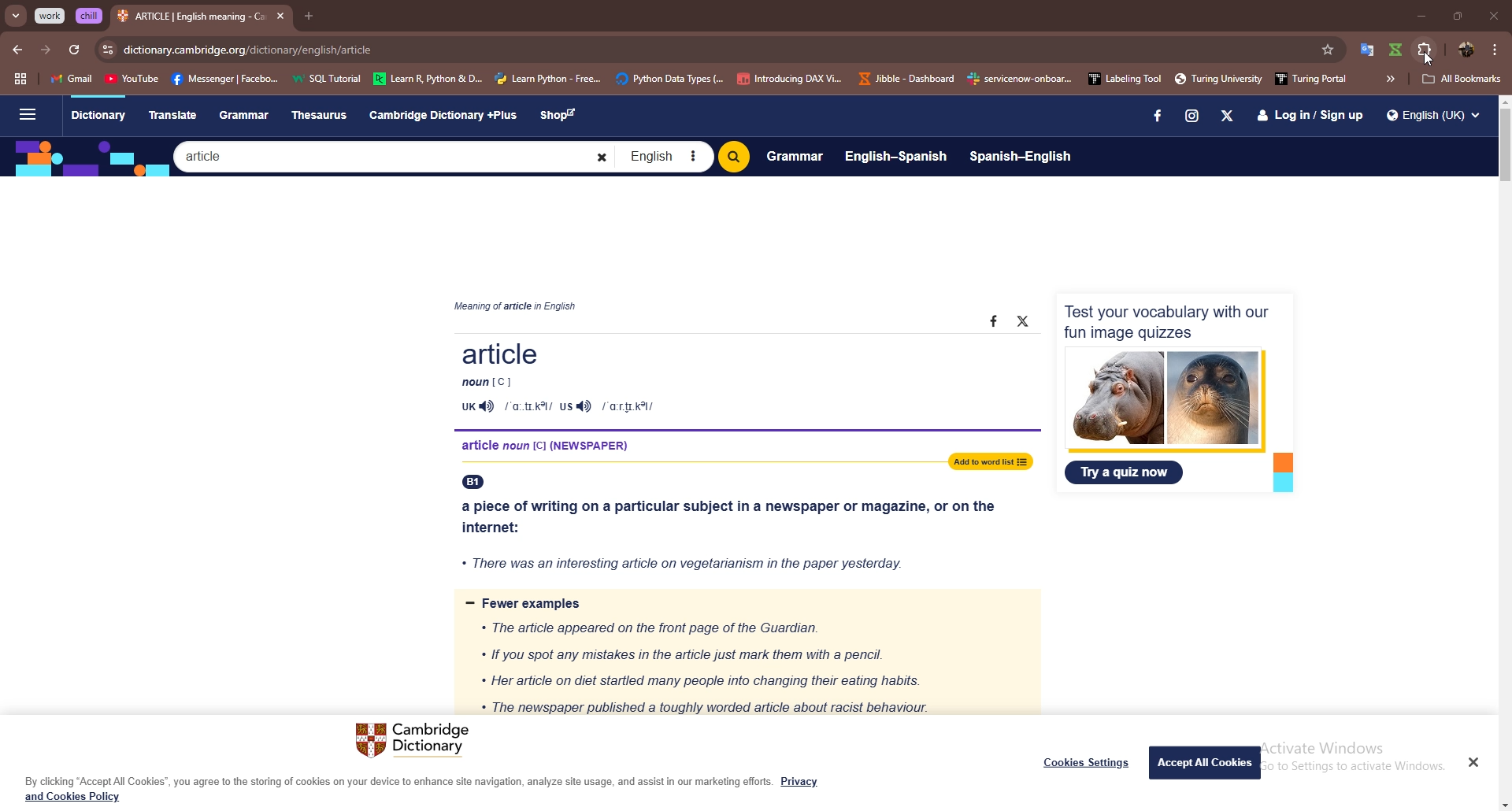 This screenshot has width=1512, height=811. I want to click on = Fewer examples
« The article appeared on the front page of the Guardian.
« If you spot any mistakes in the article just mark them with a pencil.
* Her article on diet startled many people into changing their eating habits.
« The newspaper published a toughly worded article about racist behaviour., so click(743, 654).